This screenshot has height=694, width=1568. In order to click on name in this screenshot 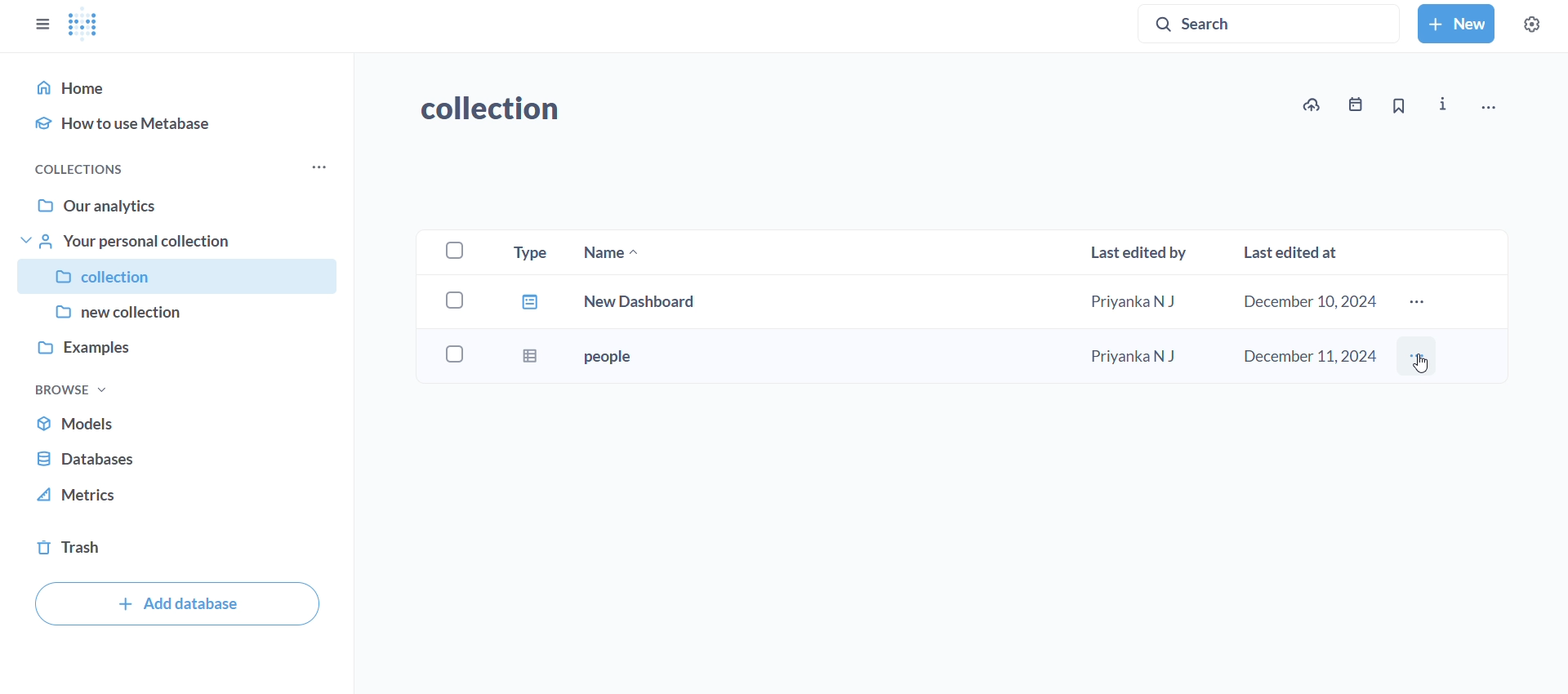, I will do `click(605, 253)`.